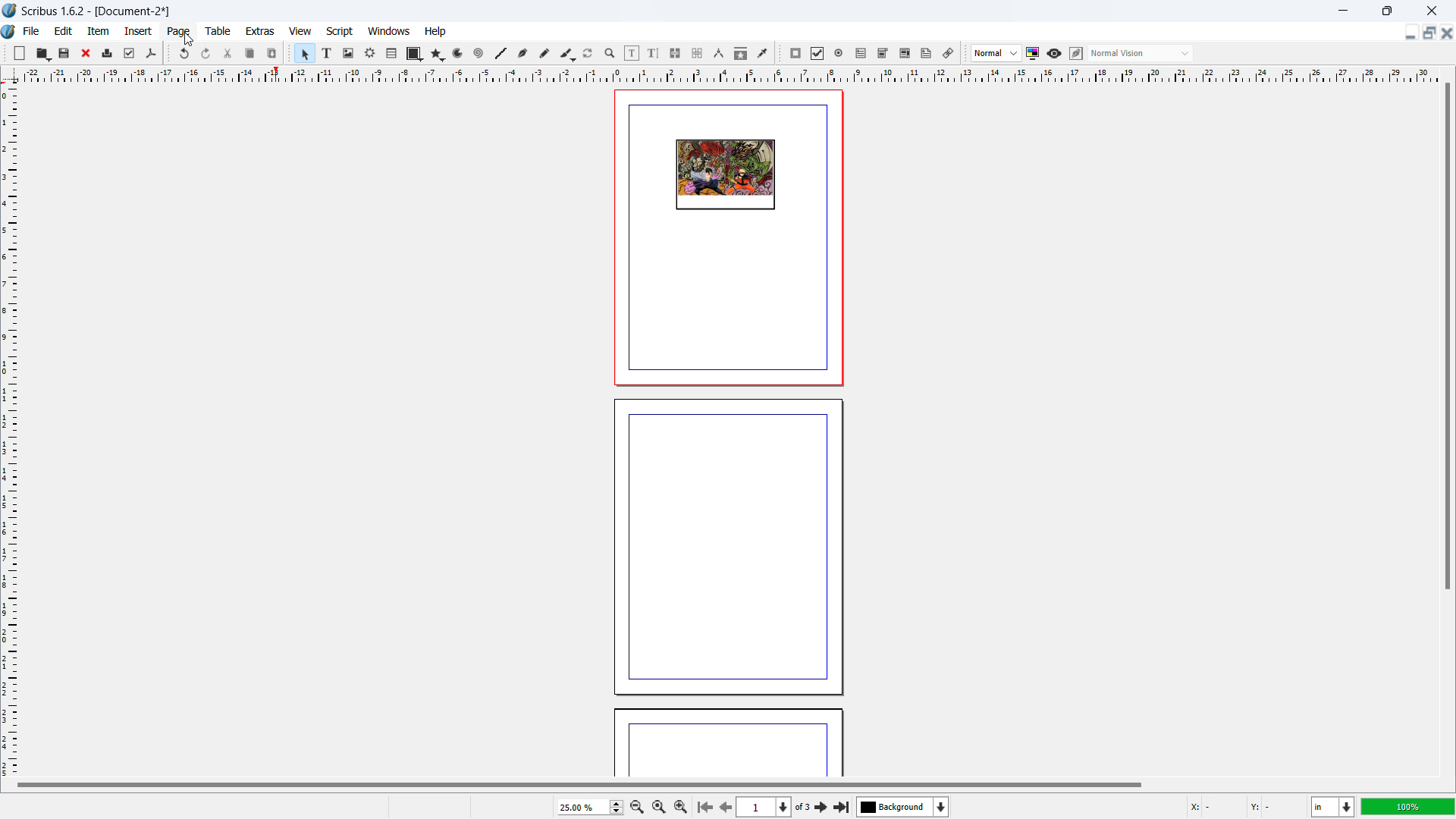  Describe the element at coordinates (861, 54) in the screenshot. I see `pdf text field` at that location.